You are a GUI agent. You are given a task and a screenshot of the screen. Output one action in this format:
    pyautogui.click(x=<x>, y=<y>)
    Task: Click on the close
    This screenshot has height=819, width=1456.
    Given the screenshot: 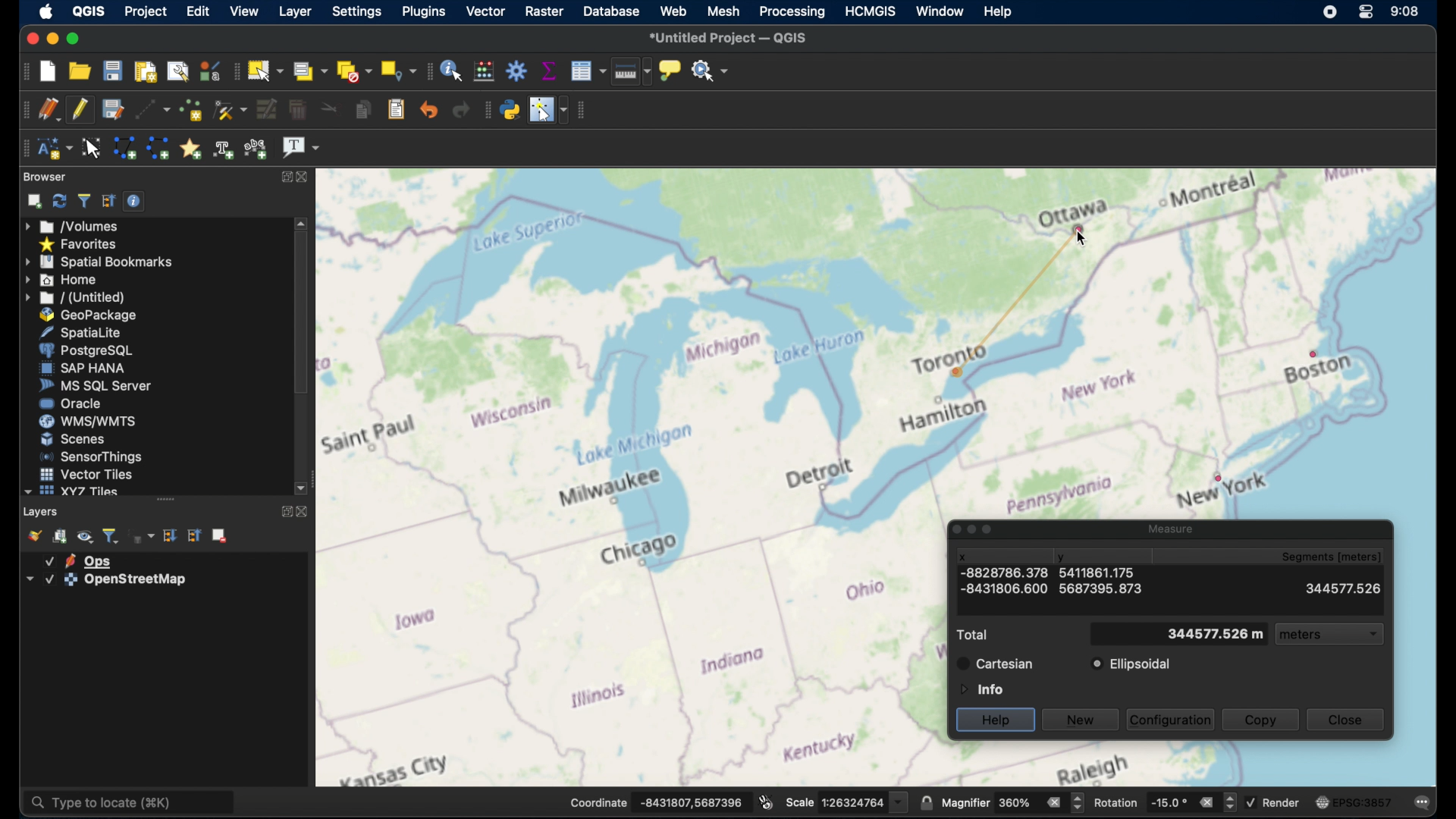 What is the action you would take?
    pyautogui.click(x=31, y=36)
    